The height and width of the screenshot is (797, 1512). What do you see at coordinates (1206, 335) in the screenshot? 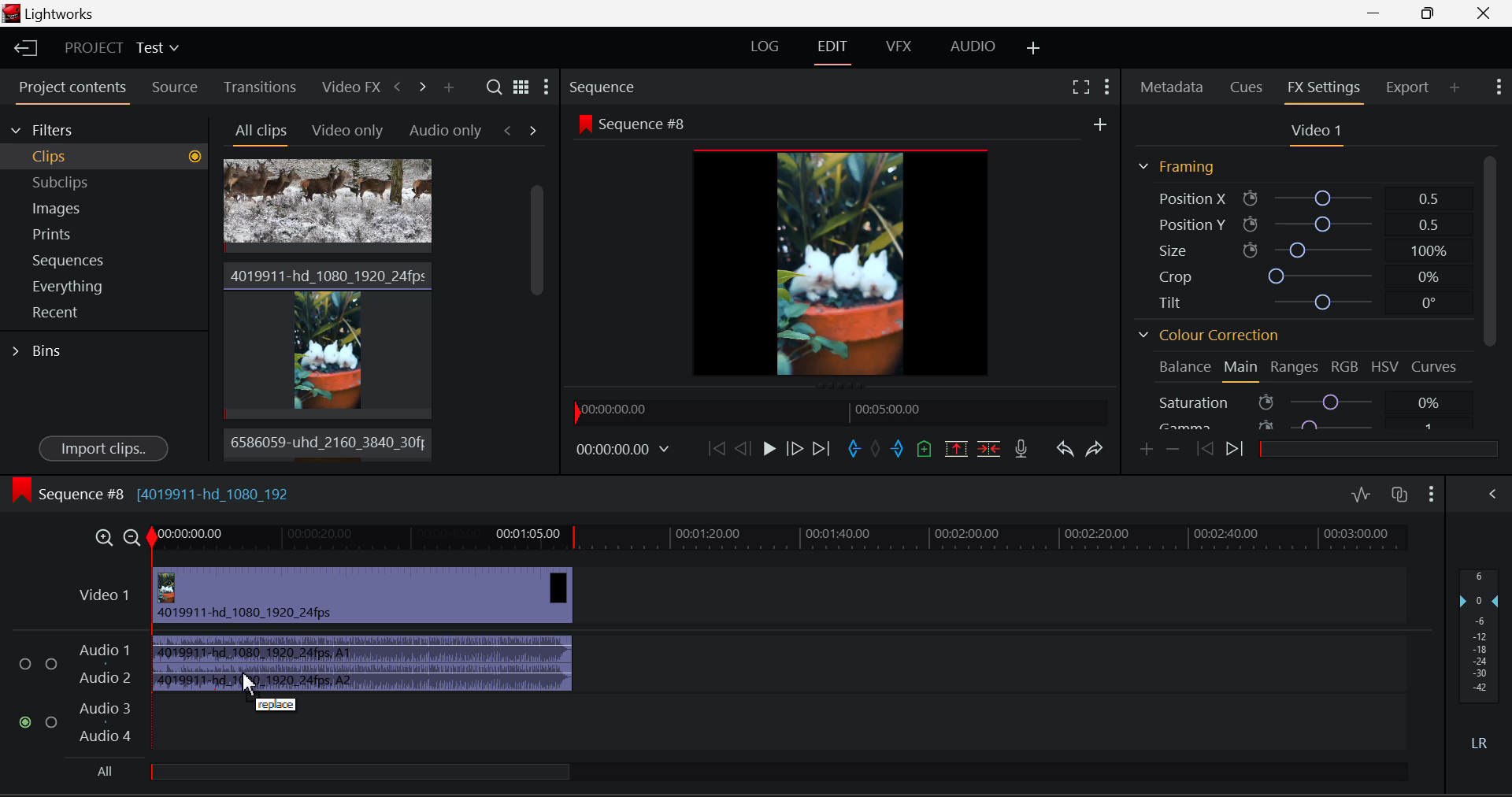
I see `Colour Correction Section` at bounding box center [1206, 335].